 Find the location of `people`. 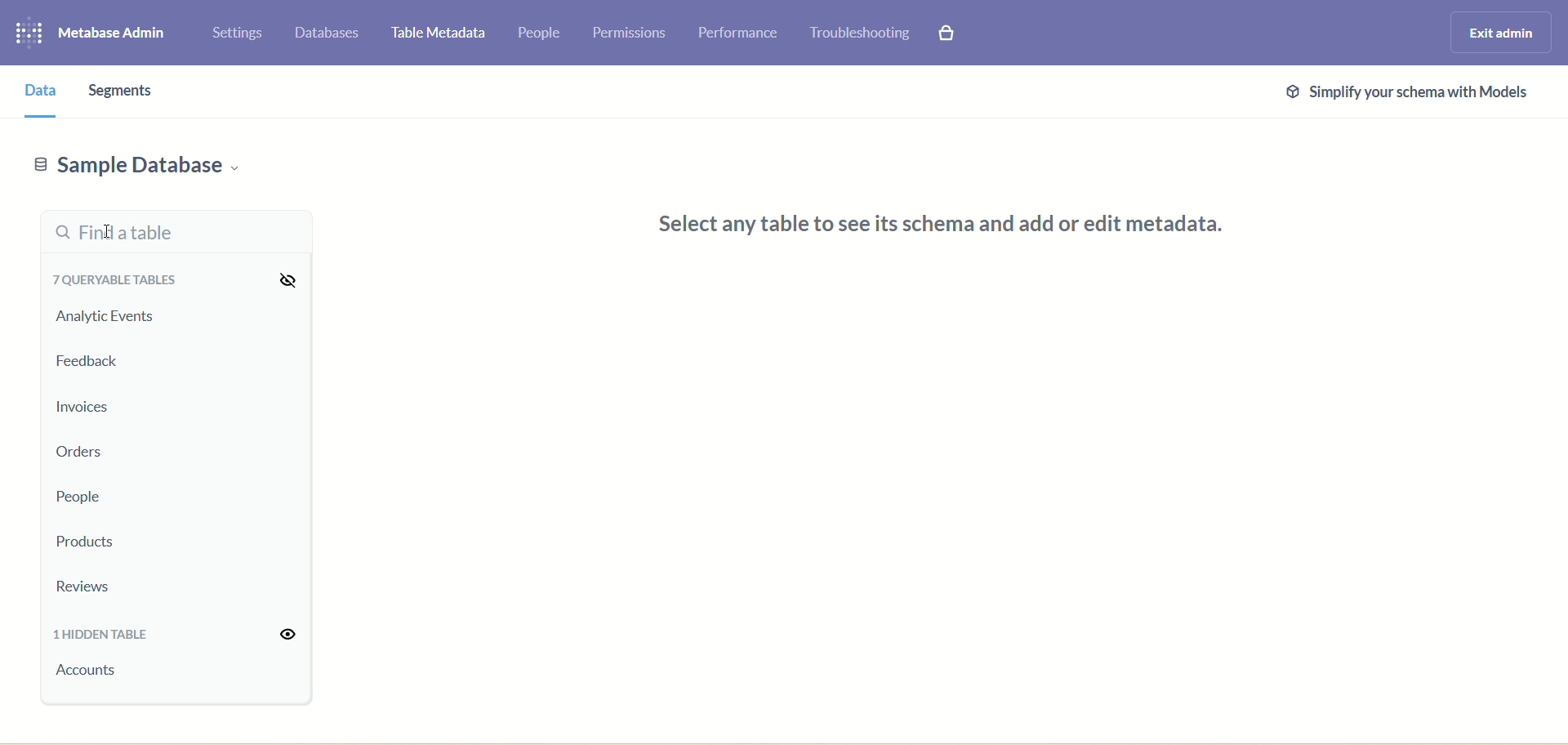

people is located at coordinates (537, 33).